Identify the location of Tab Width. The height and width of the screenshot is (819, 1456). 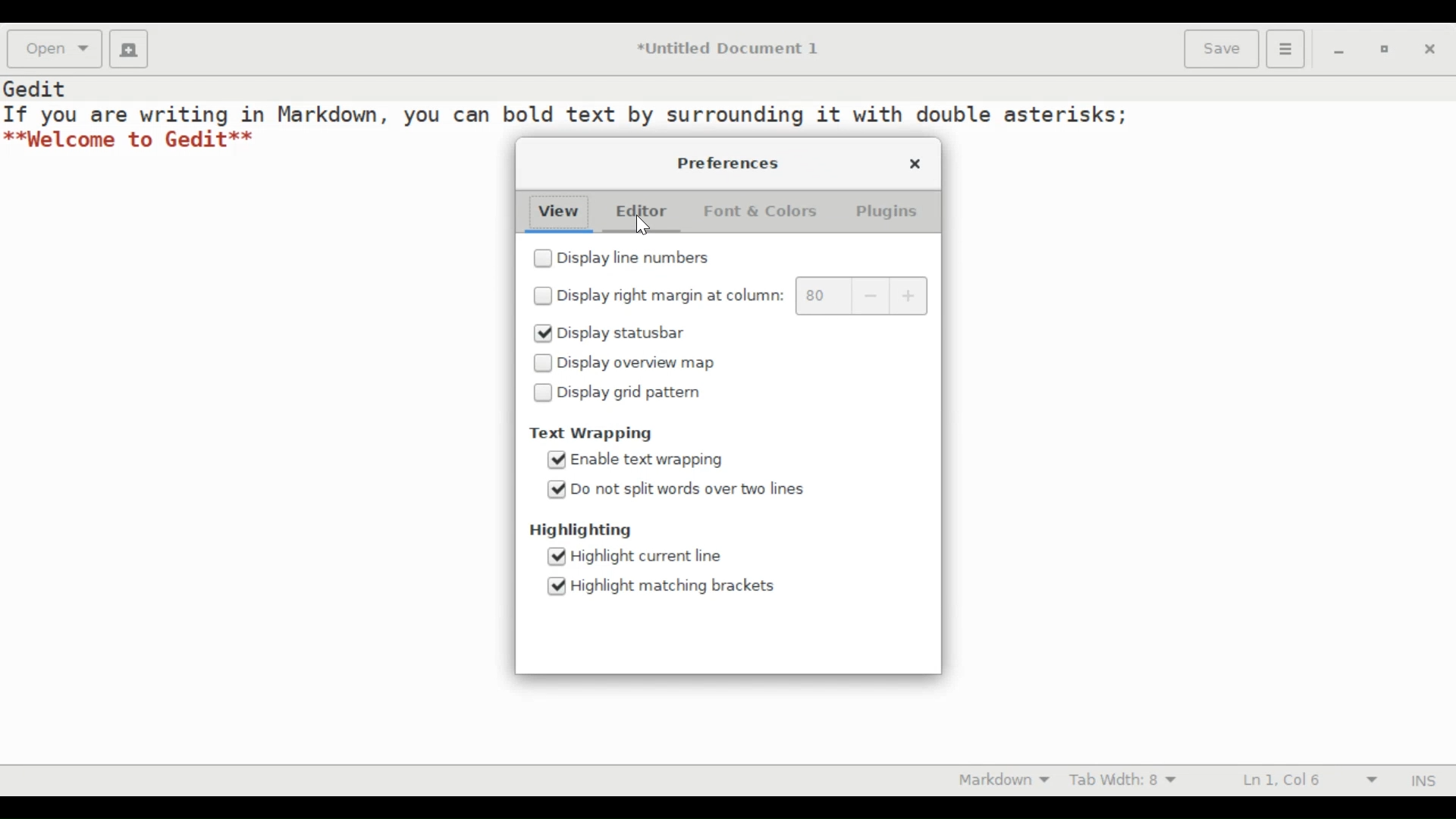
(1128, 780).